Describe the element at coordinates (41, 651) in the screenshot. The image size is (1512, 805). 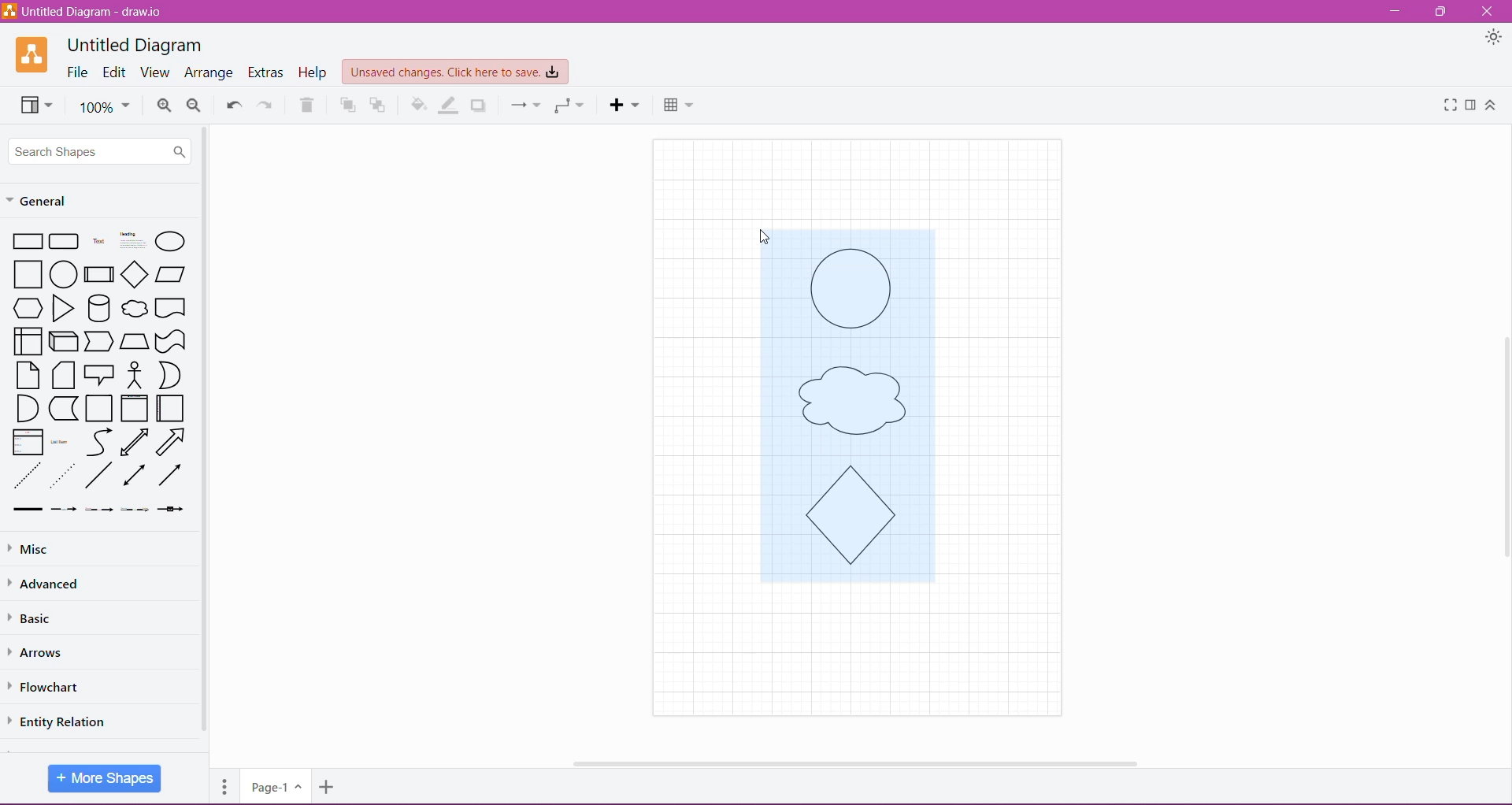
I see `Arrows` at that location.